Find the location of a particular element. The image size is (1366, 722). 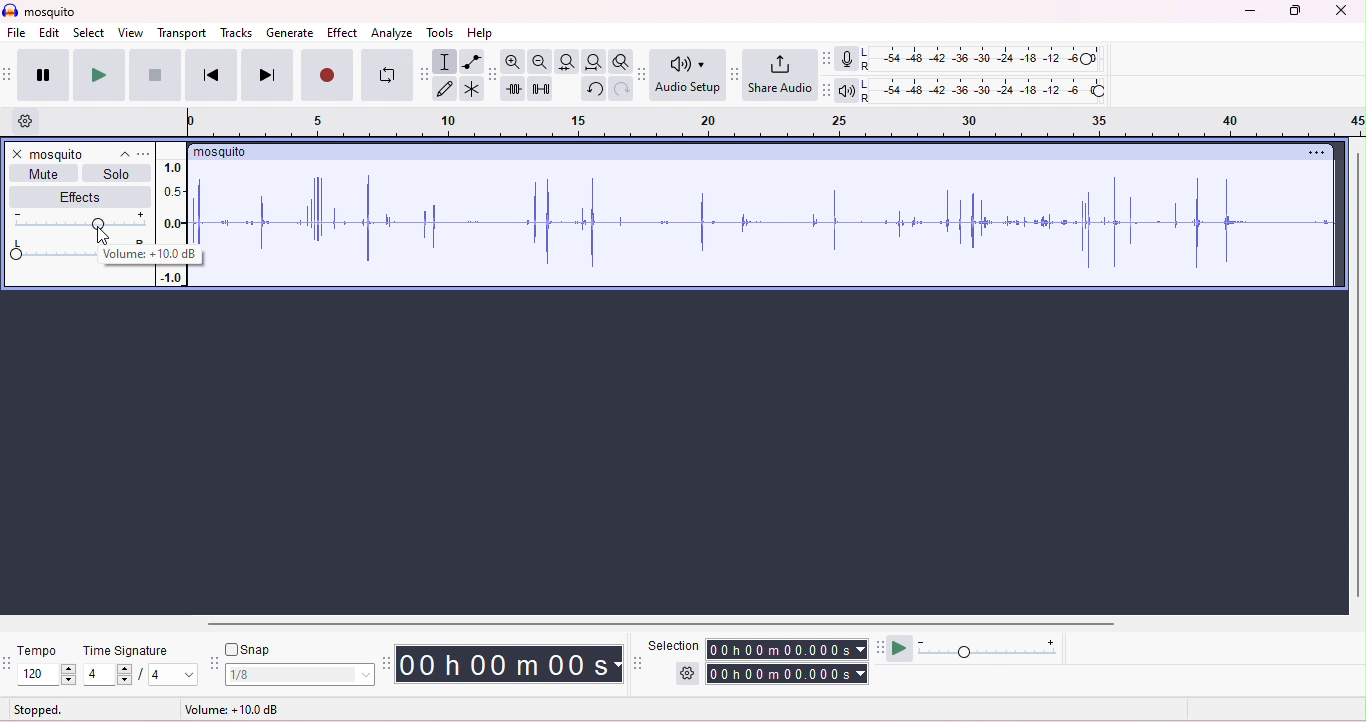

cursor is located at coordinates (103, 236).